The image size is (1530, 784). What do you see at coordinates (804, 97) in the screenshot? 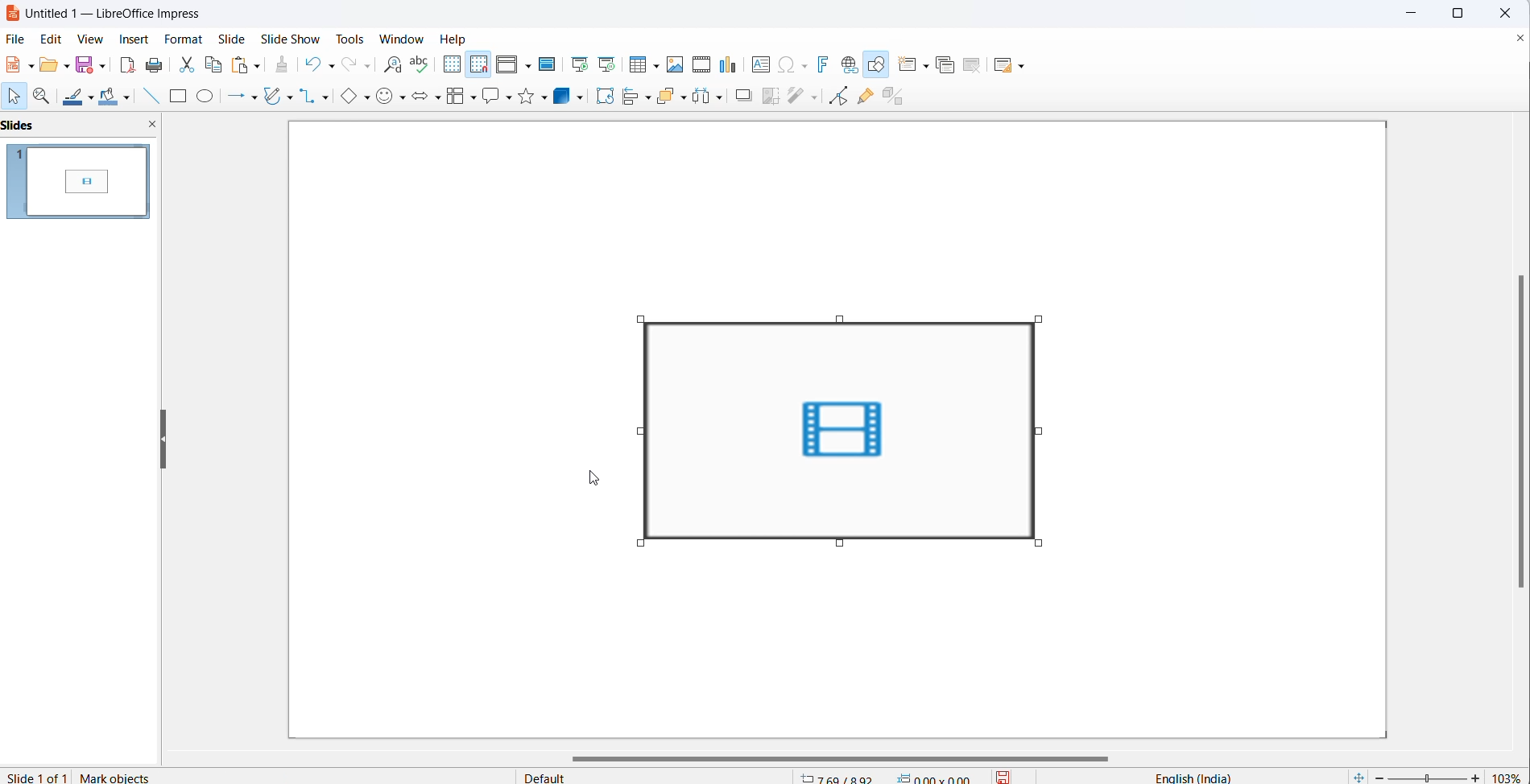
I see `distribute objects` at bounding box center [804, 97].